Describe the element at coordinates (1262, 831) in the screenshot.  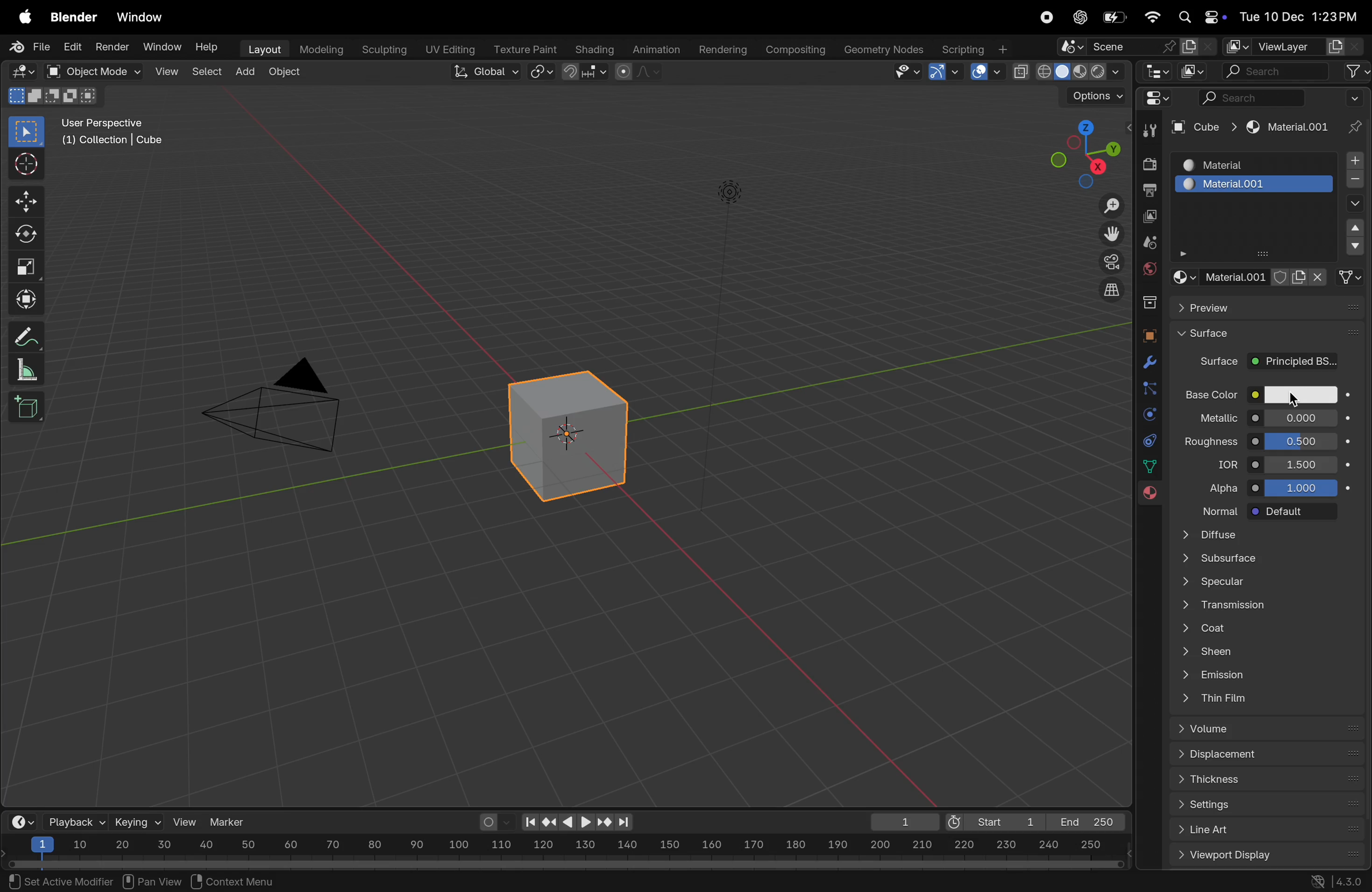
I see `list art` at that location.